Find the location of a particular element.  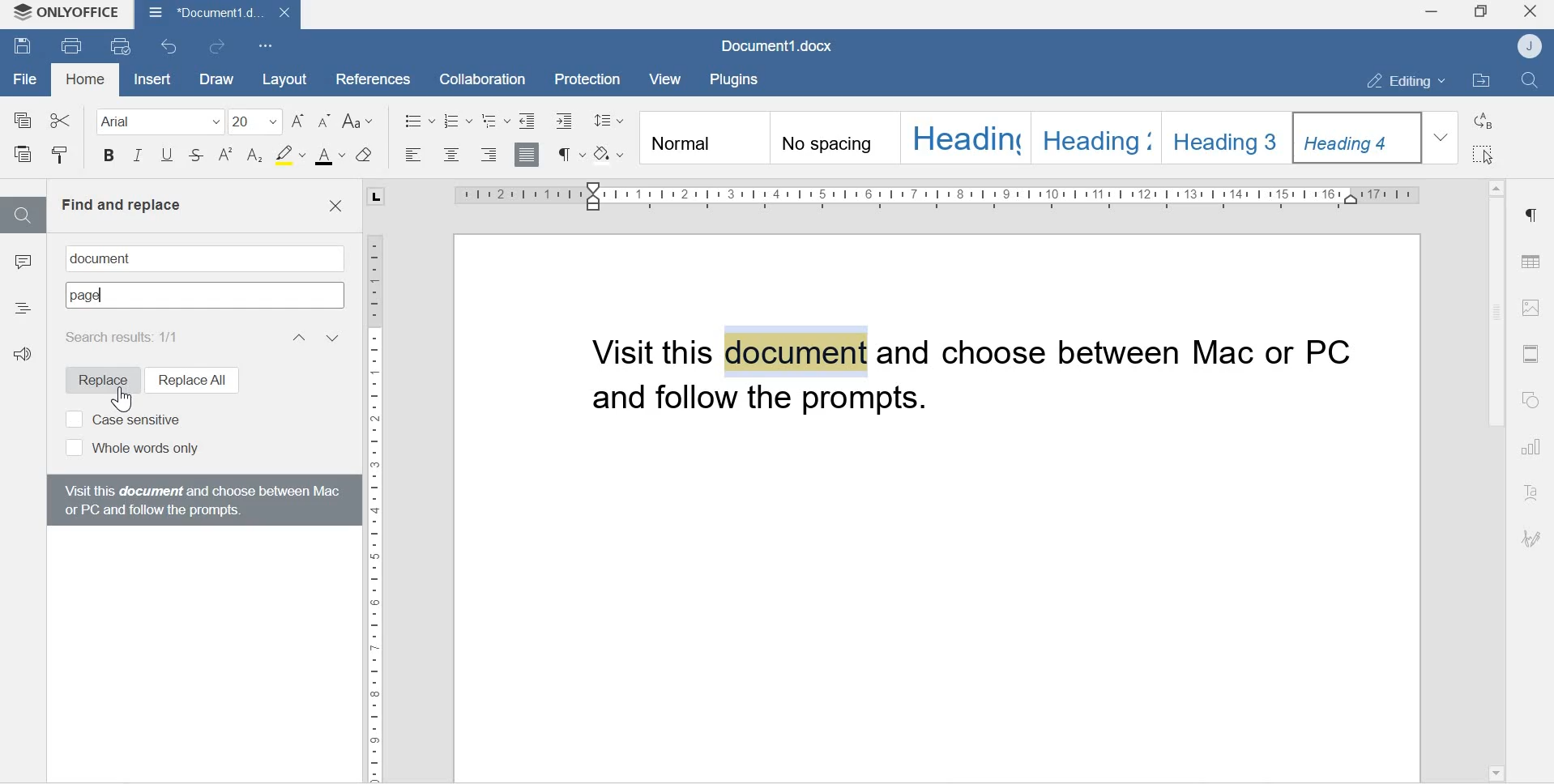

Search results: 1/1 is located at coordinates (128, 336).